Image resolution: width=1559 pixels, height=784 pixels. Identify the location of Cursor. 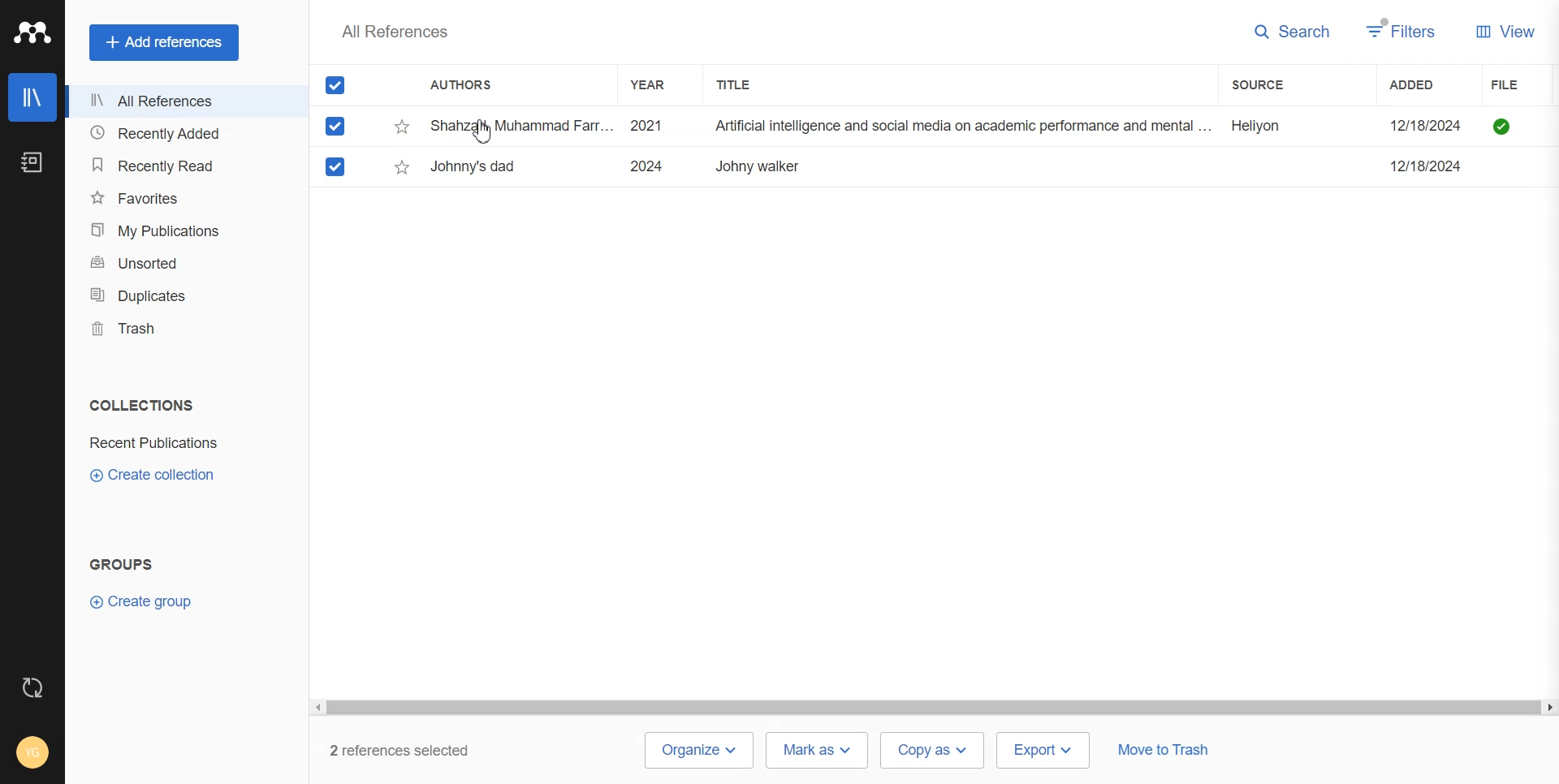
(482, 131).